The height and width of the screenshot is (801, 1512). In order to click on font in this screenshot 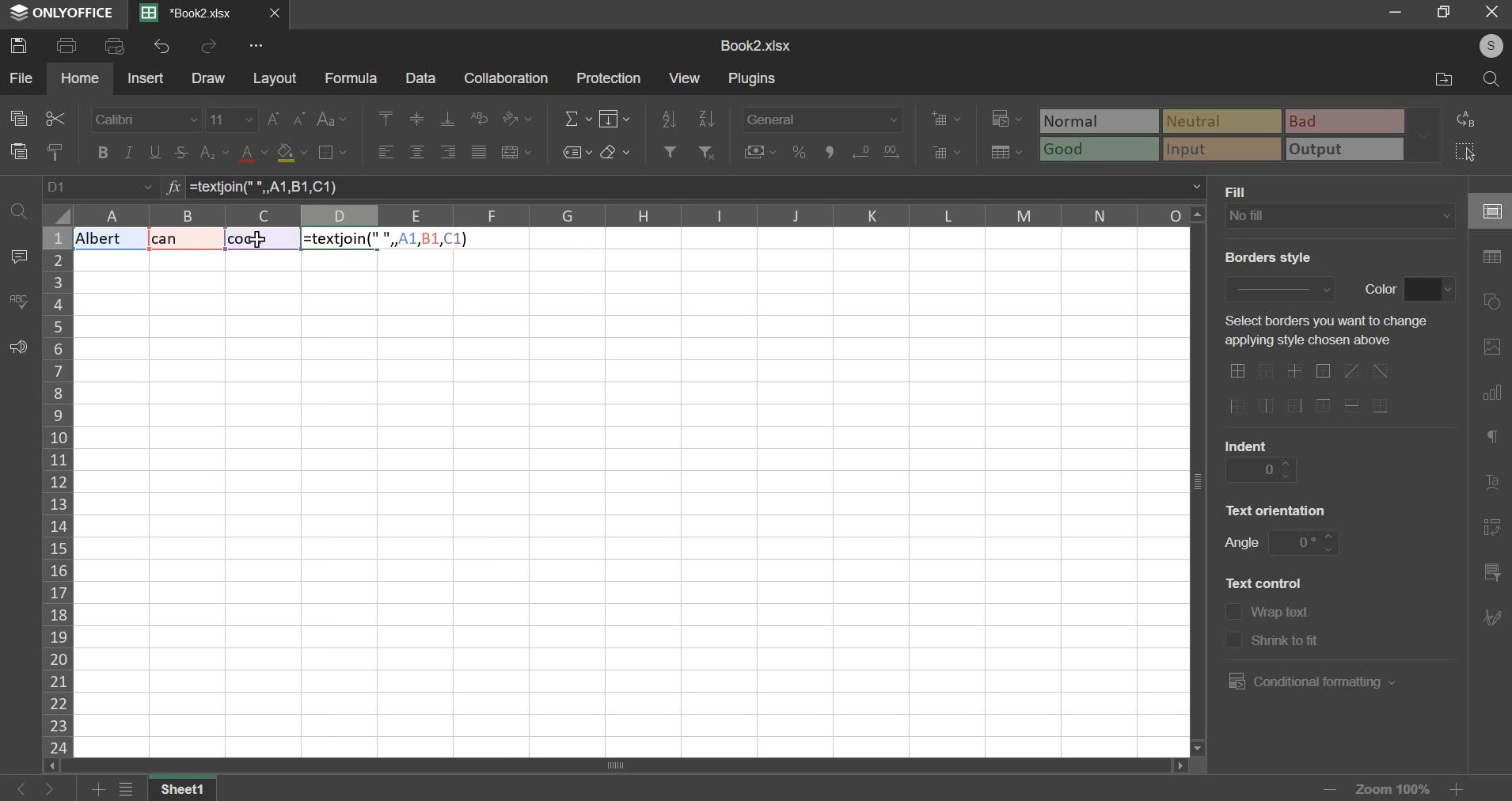, I will do `click(145, 120)`.